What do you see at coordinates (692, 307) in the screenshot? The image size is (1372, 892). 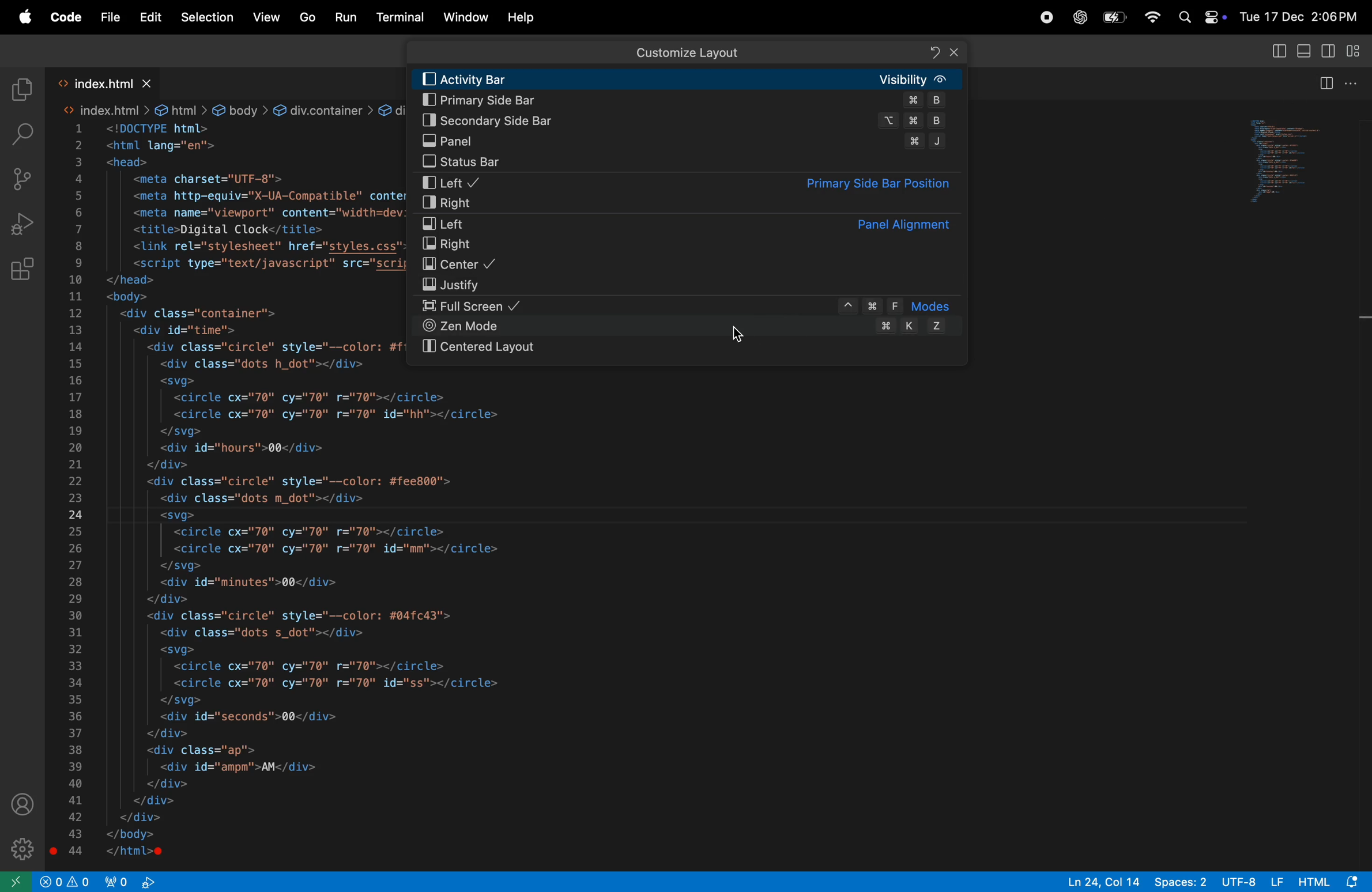 I see `full screen` at bounding box center [692, 307].